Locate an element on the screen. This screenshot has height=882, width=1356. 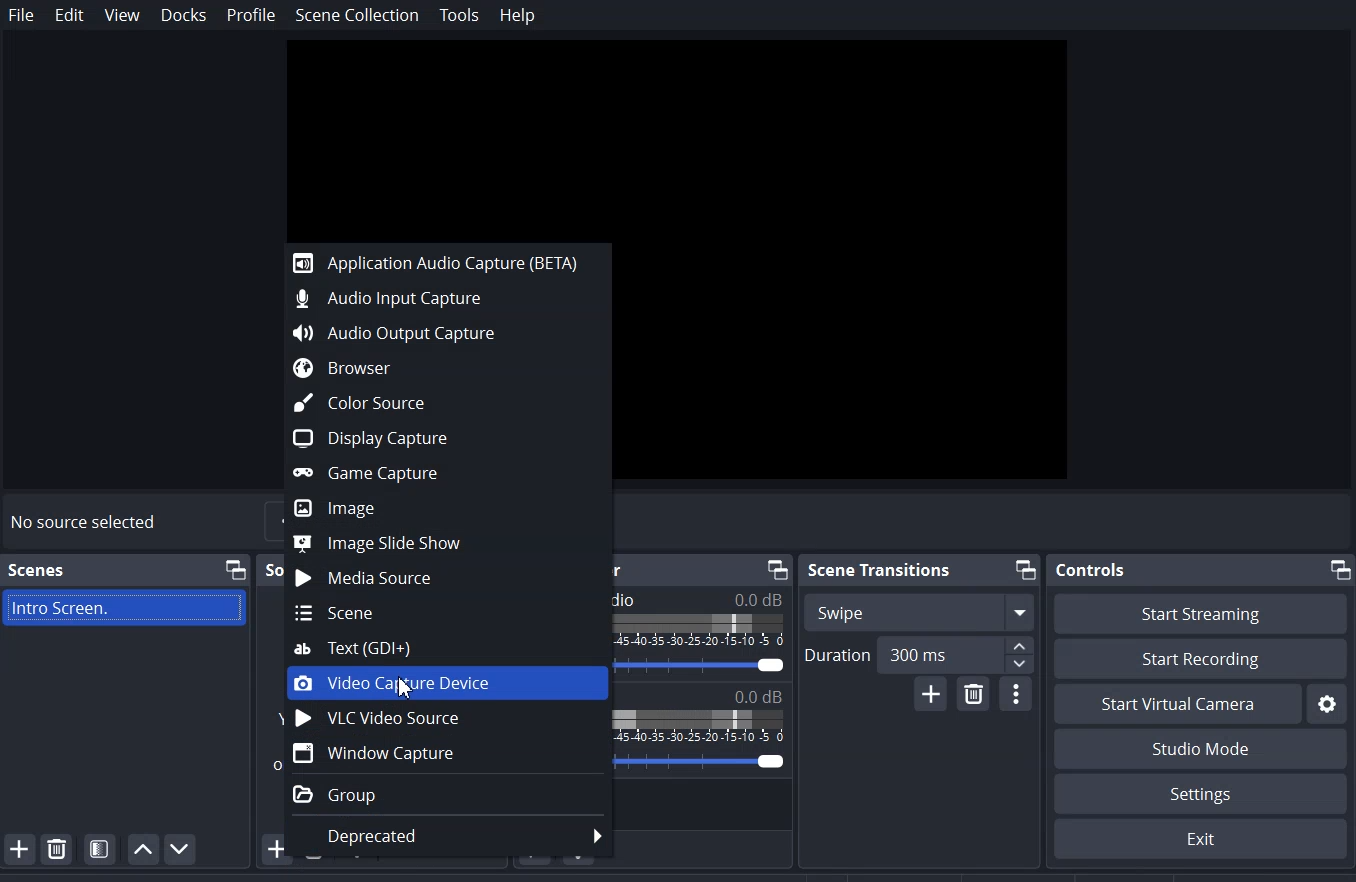
Move Scene Down is located at coordinates (181, 848).